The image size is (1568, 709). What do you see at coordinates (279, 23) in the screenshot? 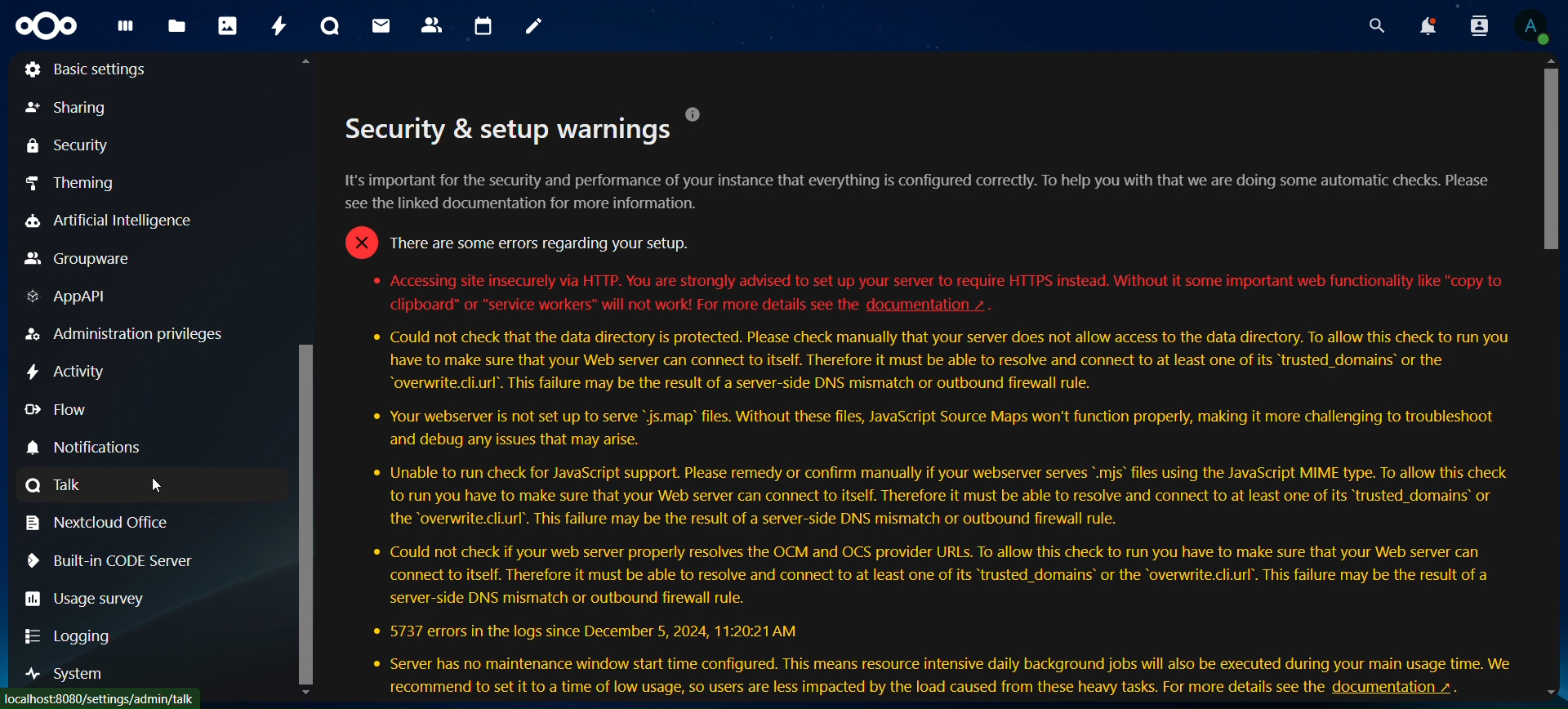
I see `activity` at bounding box center [279, 23].